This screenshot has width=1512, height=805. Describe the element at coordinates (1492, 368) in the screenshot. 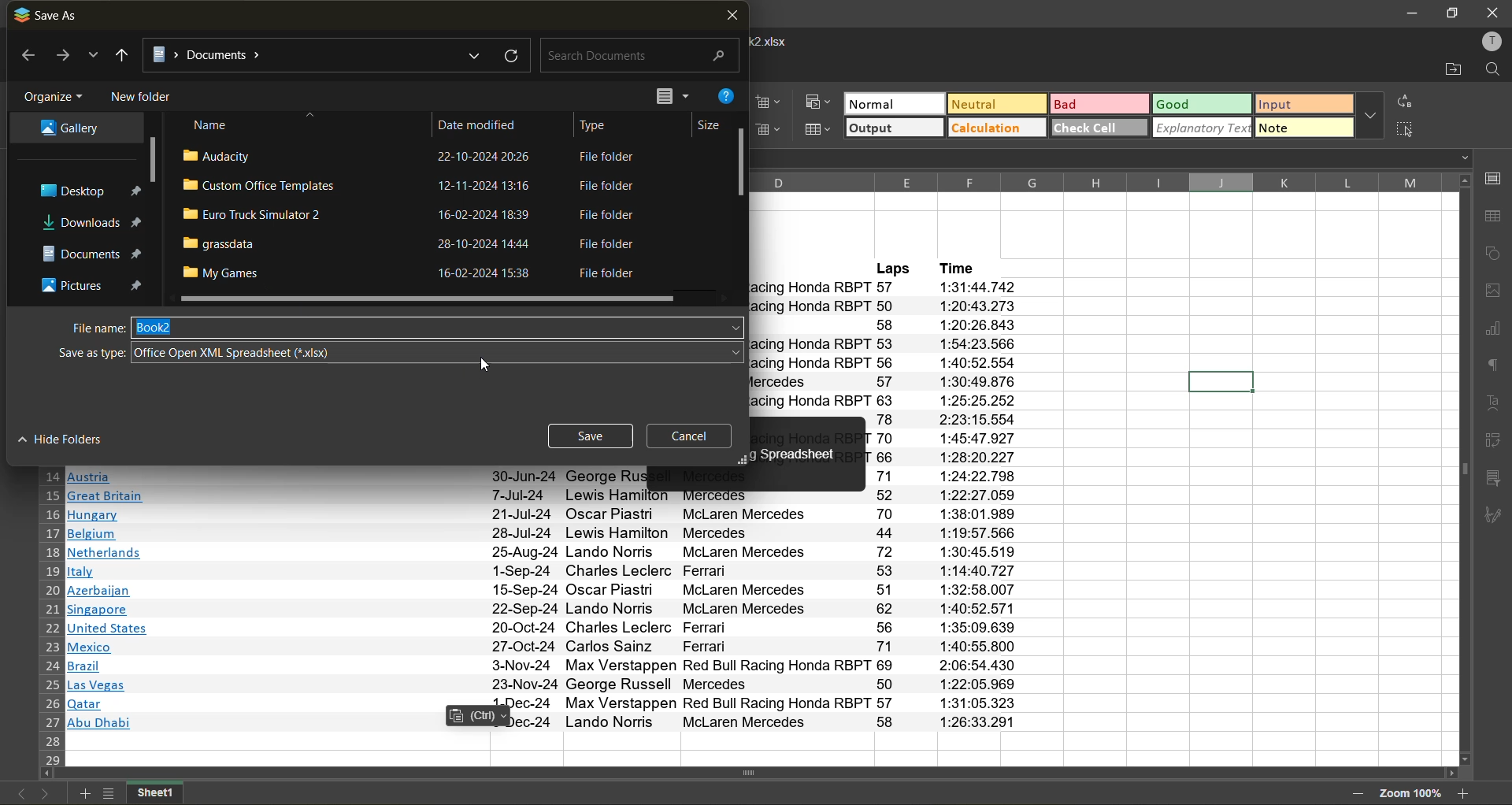

I see `paragraph` at that location.